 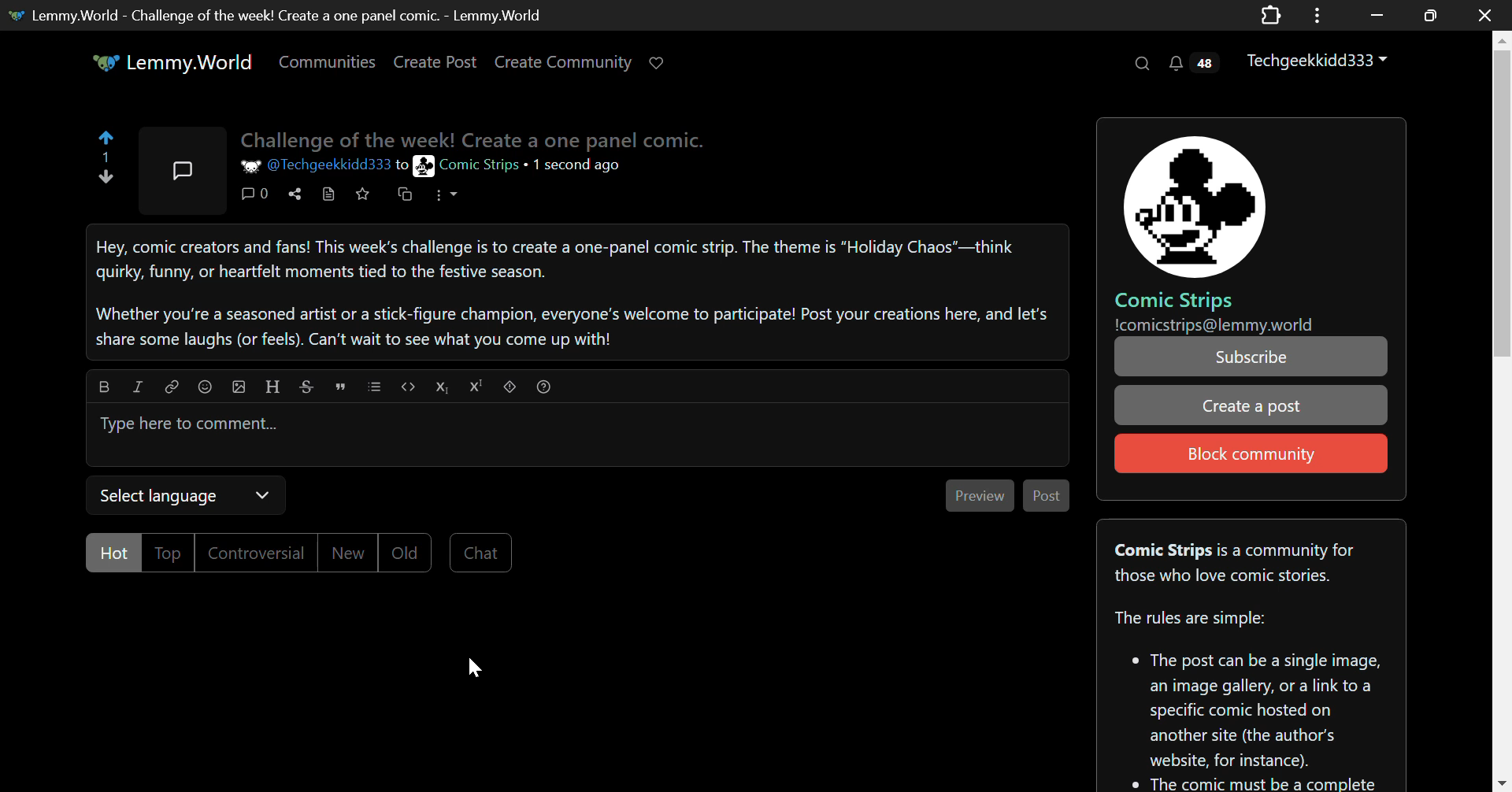 I want to click on Comic Strips is a community forthose who love comic stories. The rules are simple:* The post can be a single image, an image gallery, or a link to a specific comic hosted on another site (the author's website, for instance). The comic must be a complete, so click(x=1246, y=653).